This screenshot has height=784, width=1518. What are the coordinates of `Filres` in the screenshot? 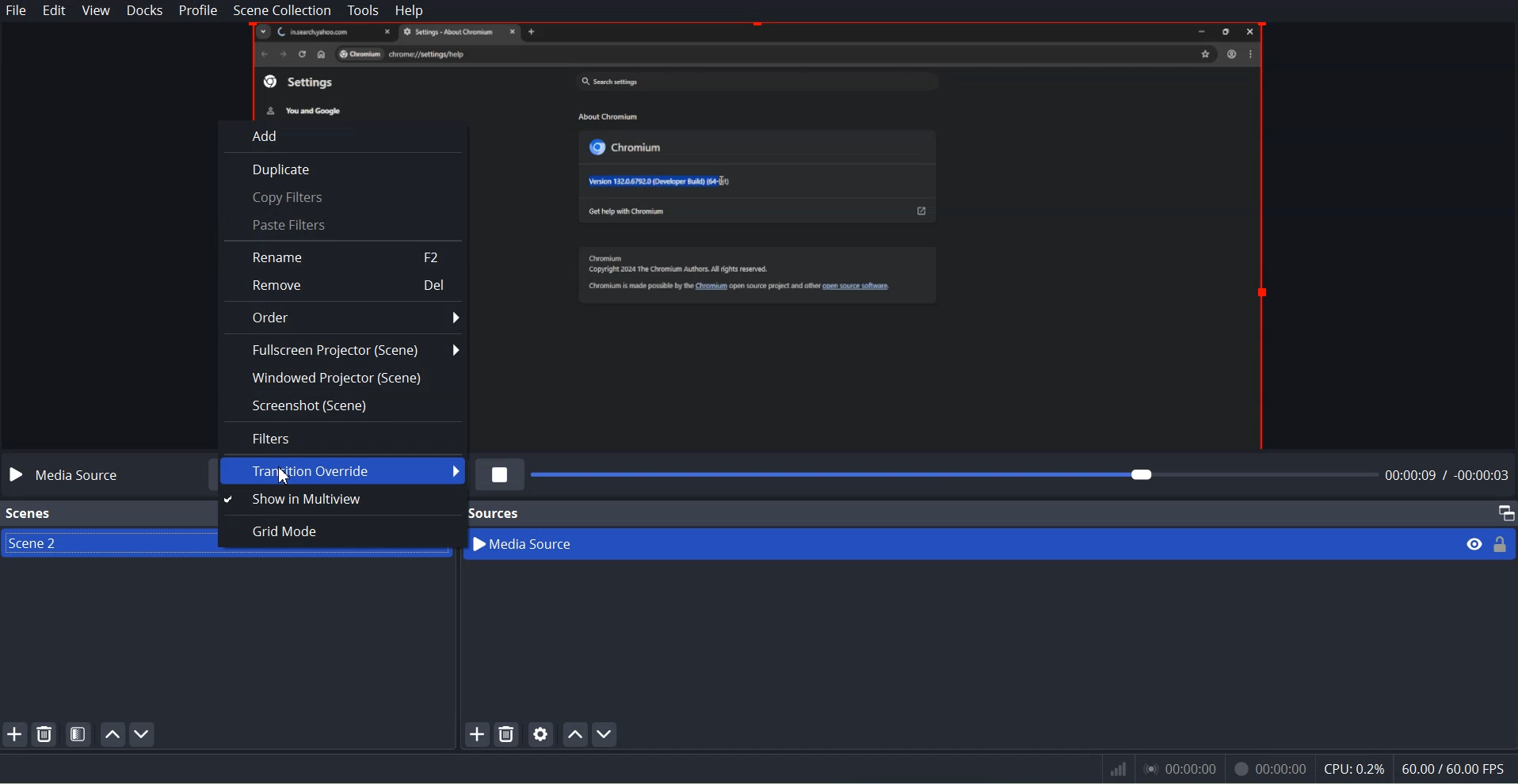 It's located at (342, 438).